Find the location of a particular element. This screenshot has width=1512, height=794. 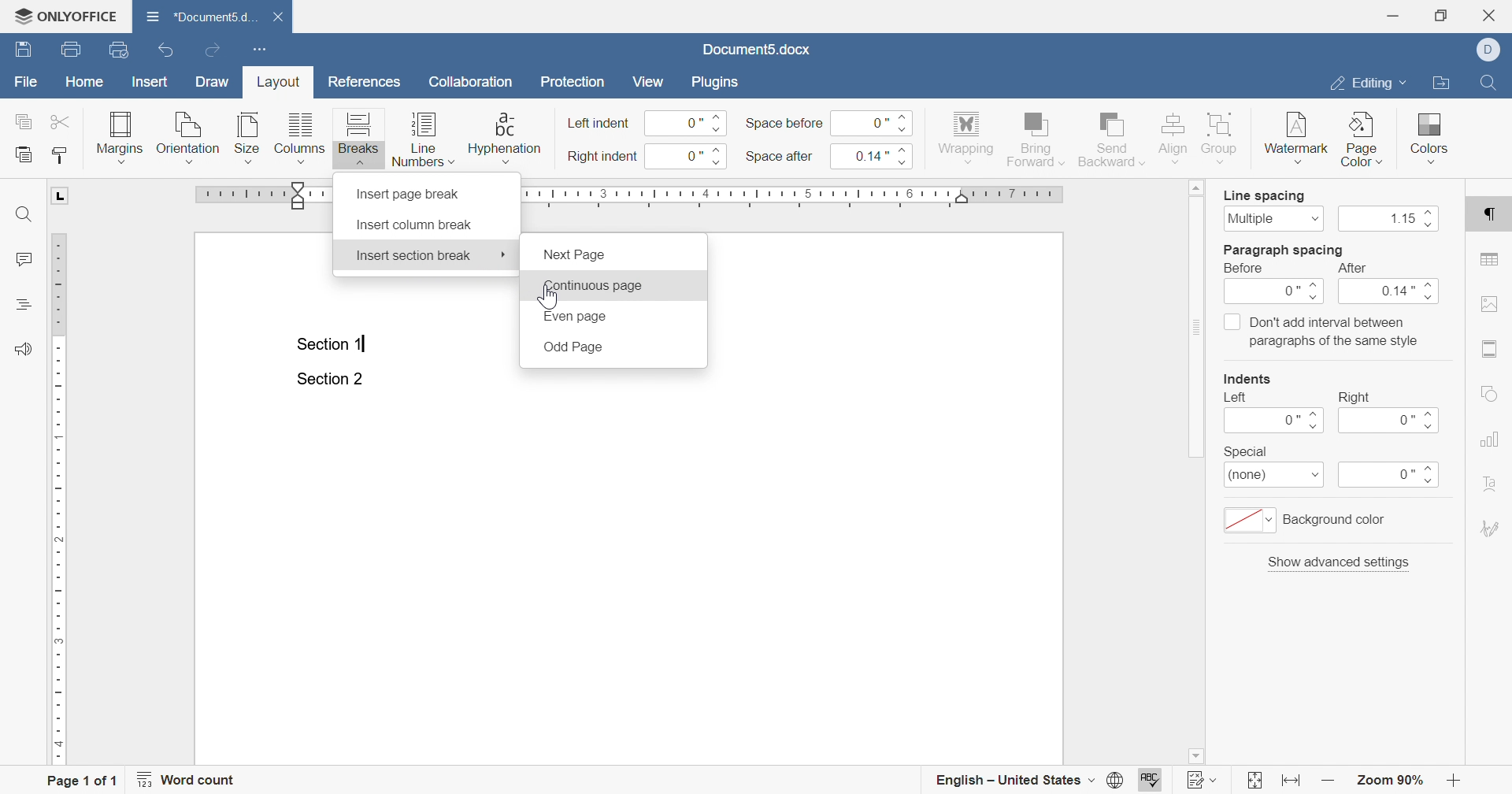

columns is located at coordinates (298, 137).